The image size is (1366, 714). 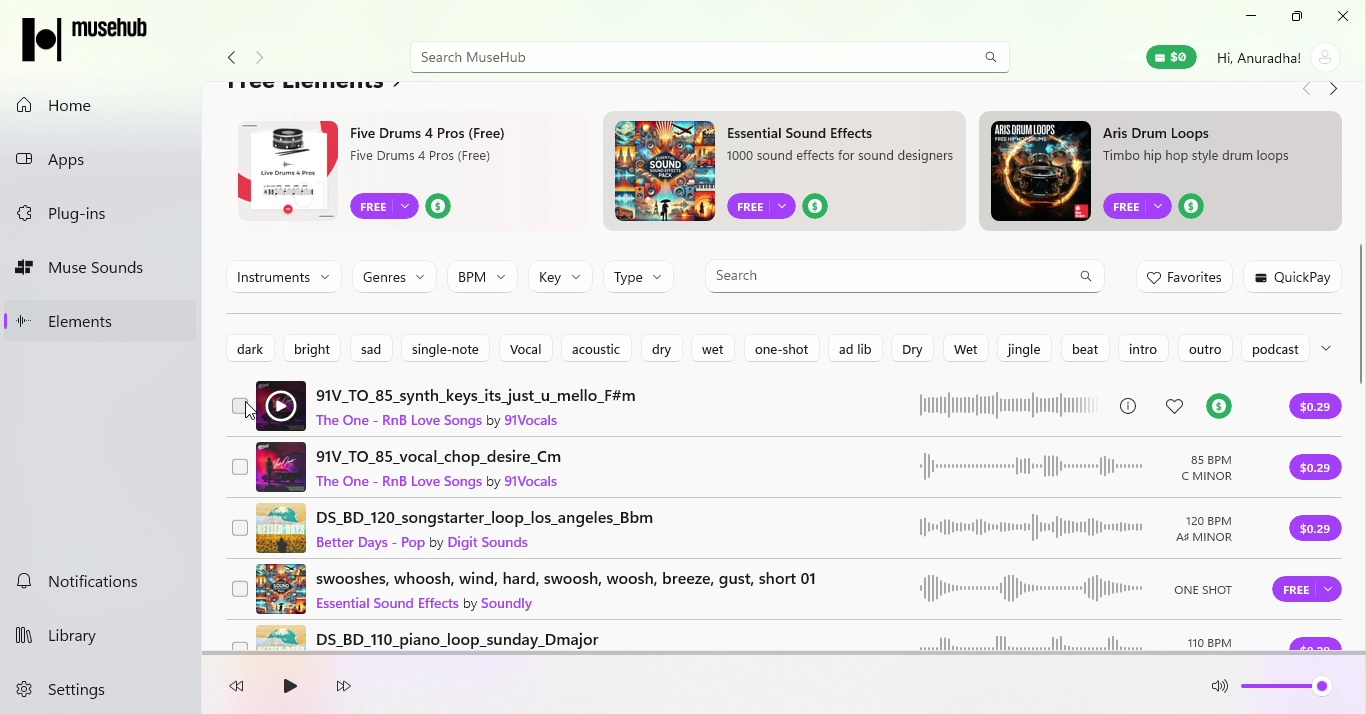 I want to click on Genres, so click(x=391, y=274).